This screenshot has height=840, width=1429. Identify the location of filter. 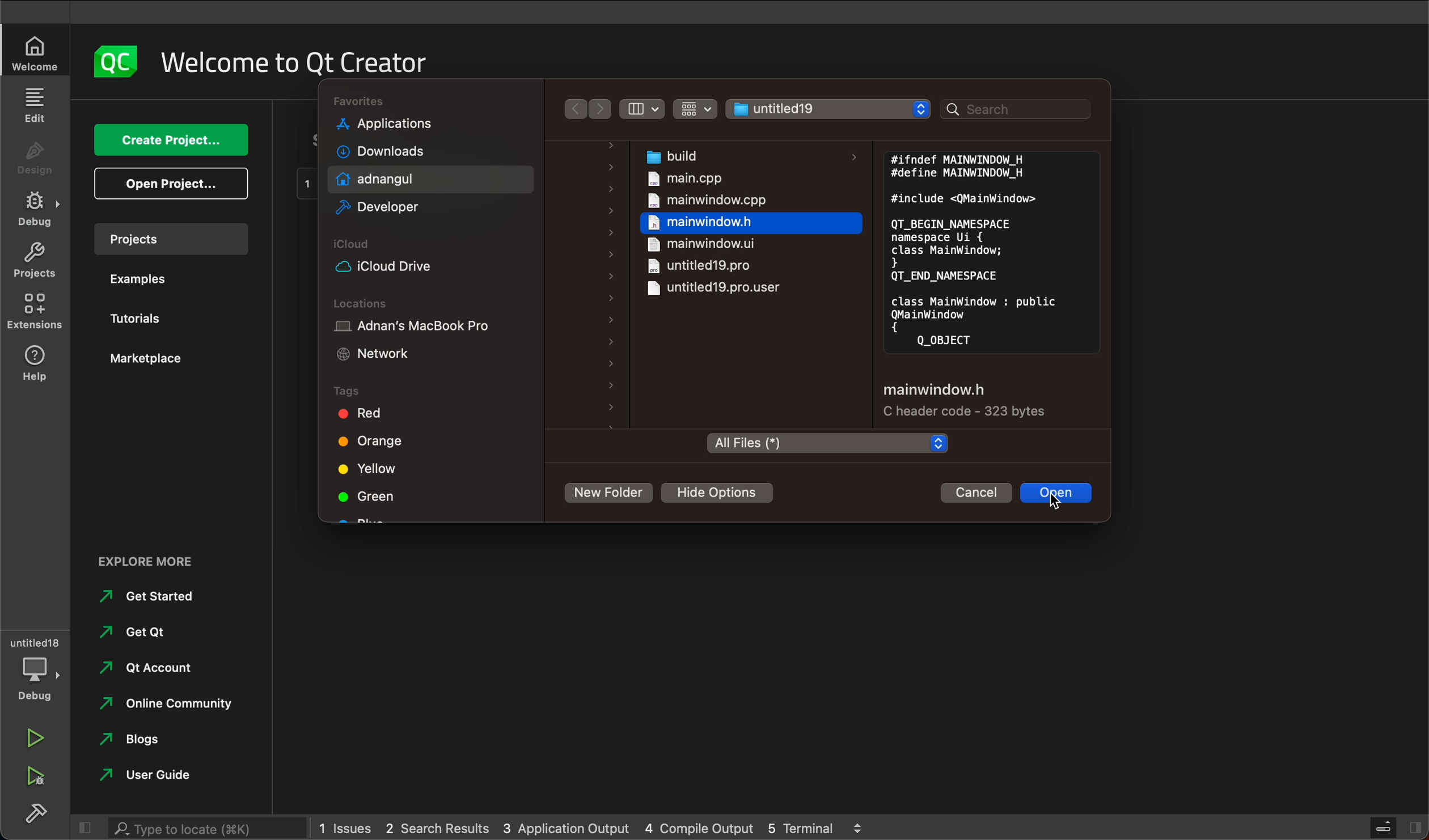
(644, 108).